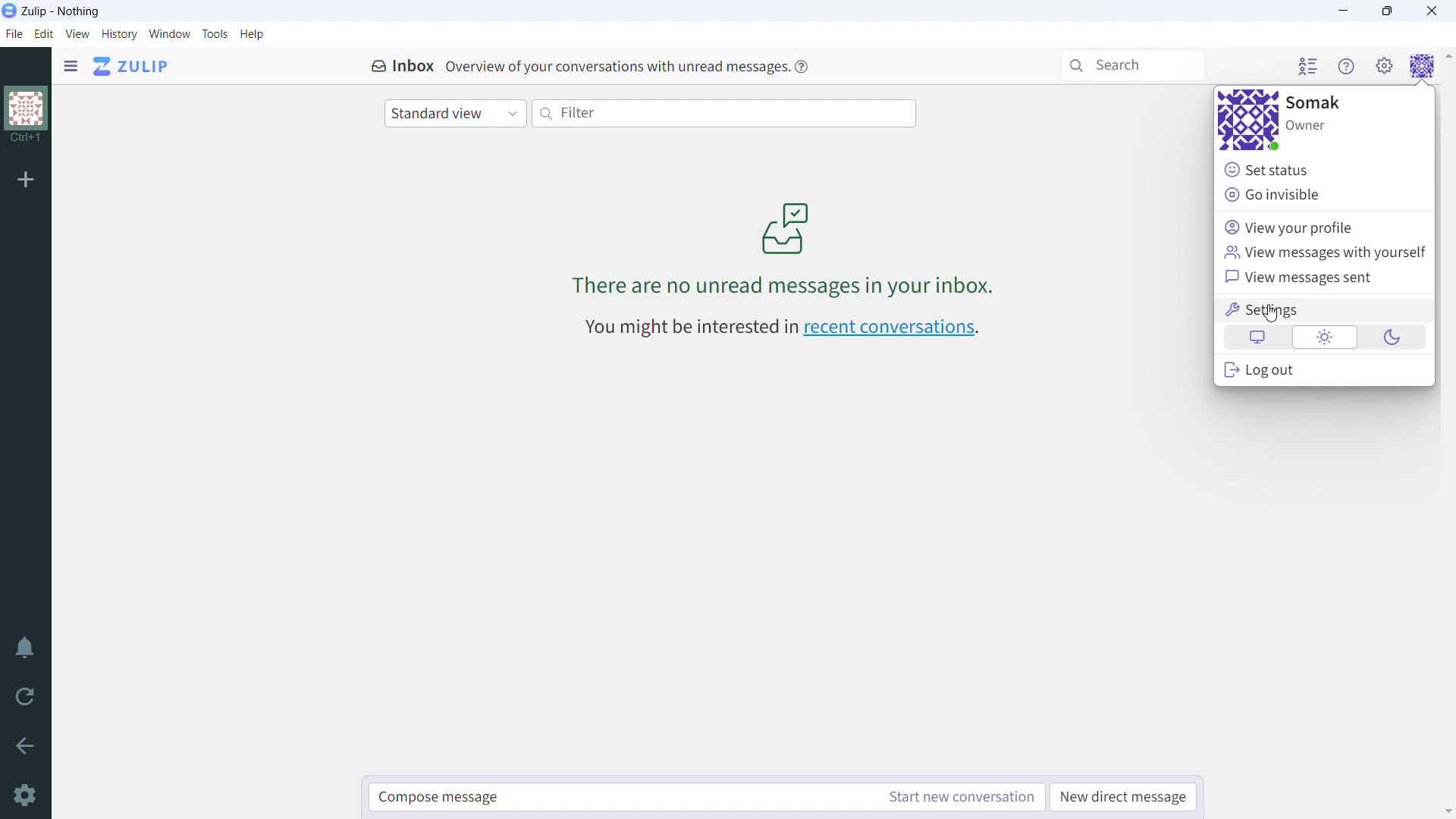 This screenshot has height=819, width=1456. What do you see at coordinates (1394, 337) in the screenshot?
I see `dark theme` at bounding box center [1394, 337].